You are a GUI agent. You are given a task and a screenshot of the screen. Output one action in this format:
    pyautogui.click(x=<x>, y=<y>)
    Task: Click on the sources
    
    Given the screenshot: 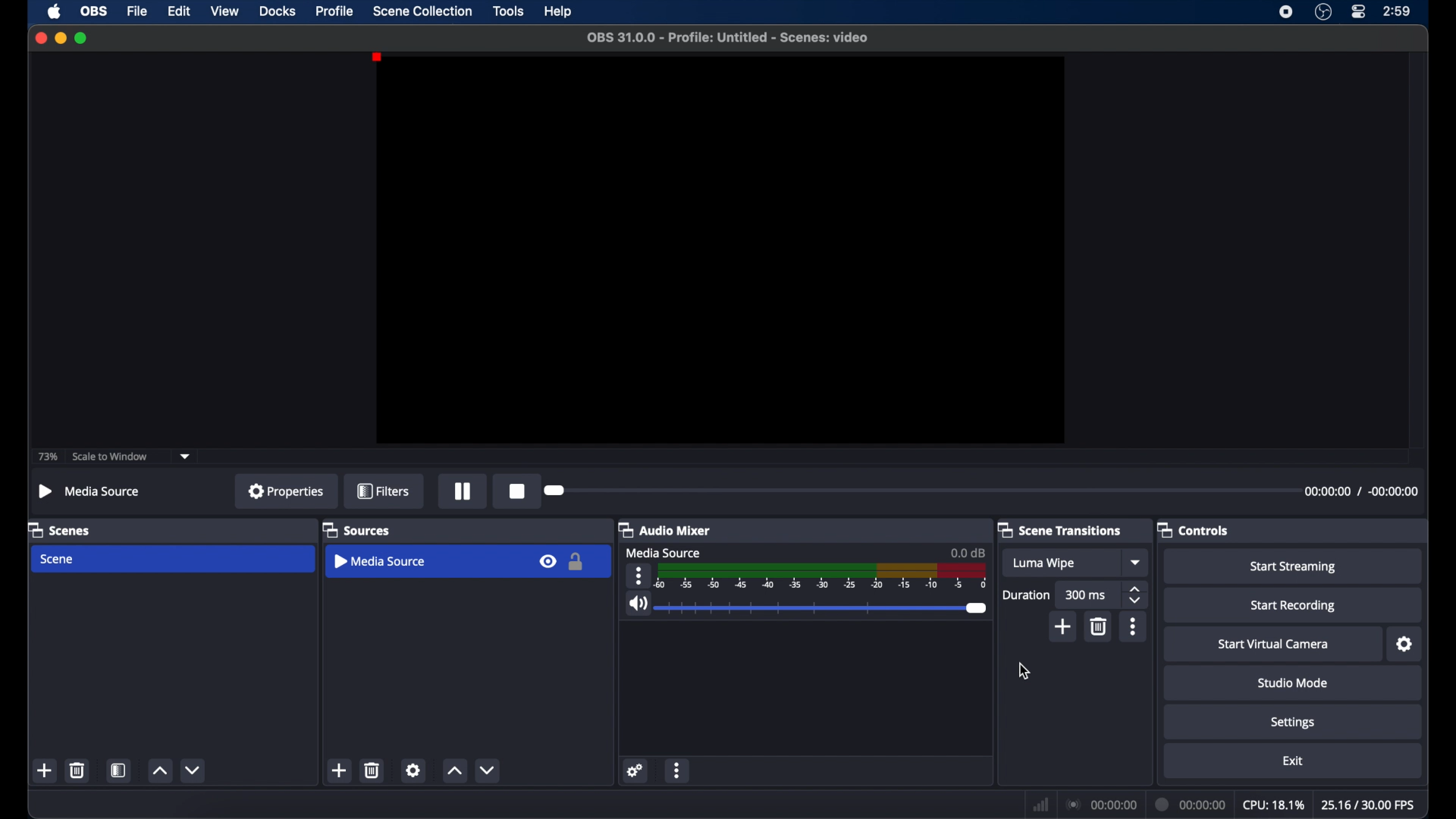 What is the action you would take?
    pyautogui.click(x=356, y=529)
    